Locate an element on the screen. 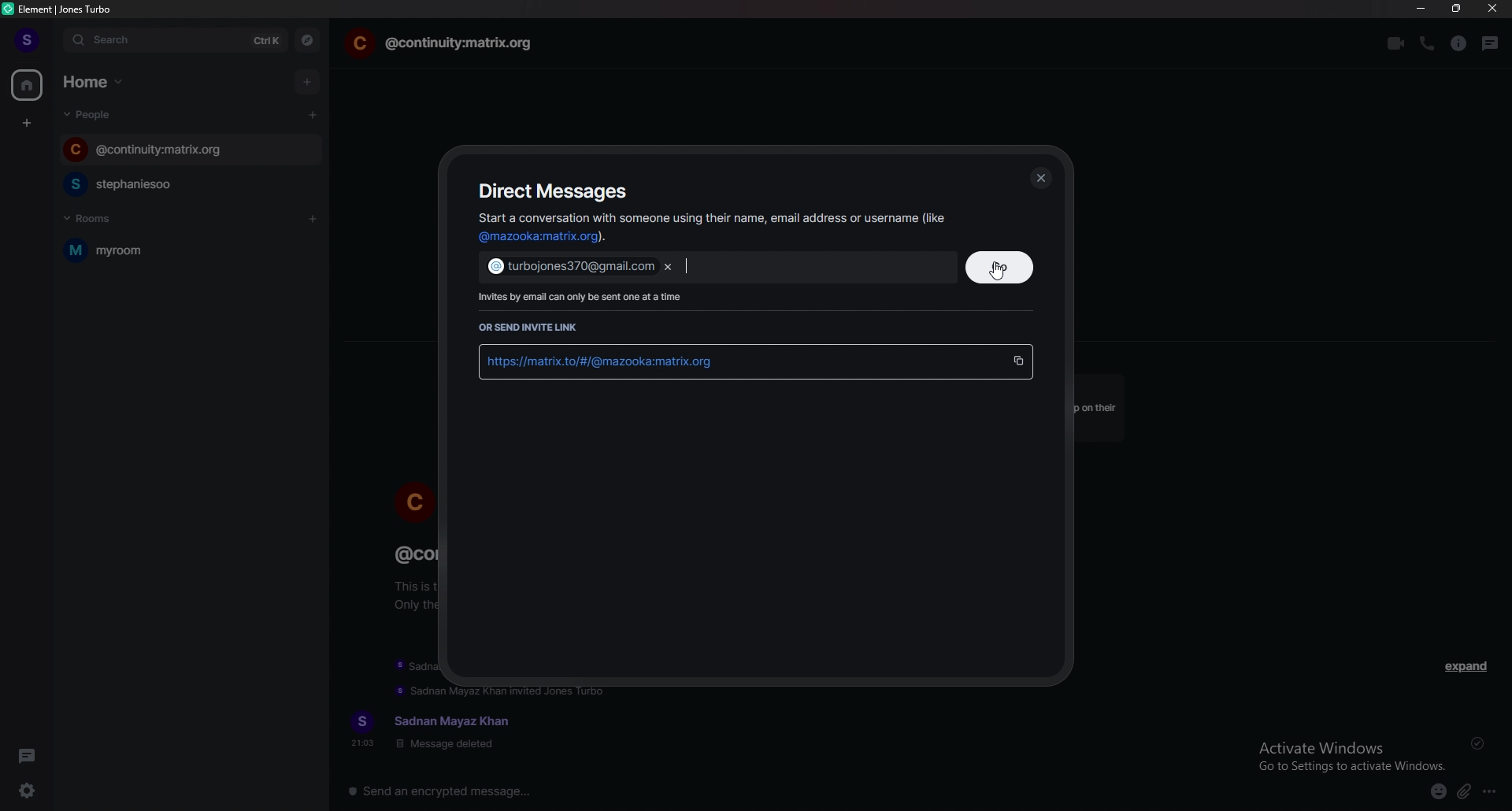  remove email is located at coordinates (668, 267).